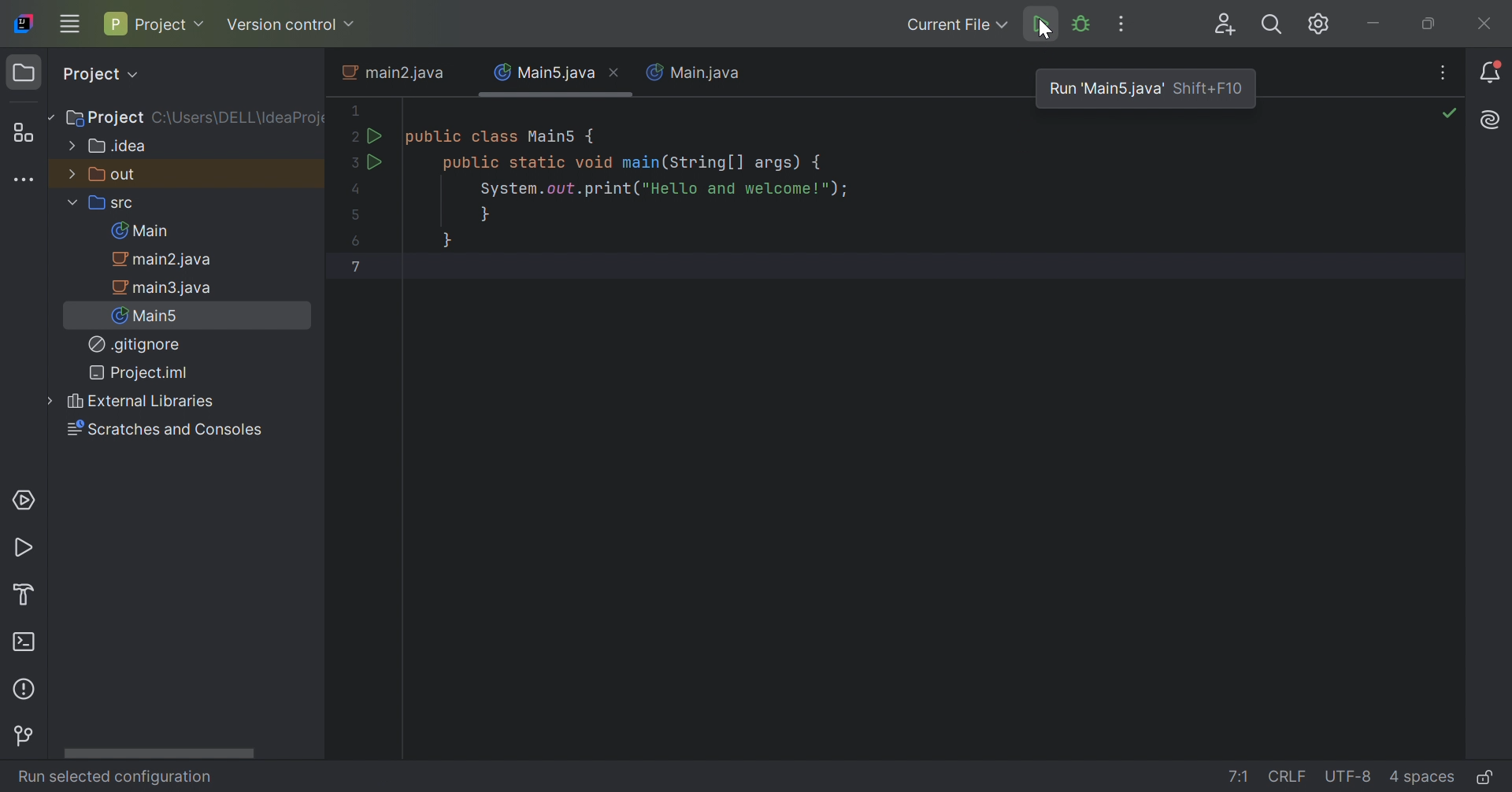 This screenshot has height=792, width=1512. I want to click on Run, so click(26, 550).